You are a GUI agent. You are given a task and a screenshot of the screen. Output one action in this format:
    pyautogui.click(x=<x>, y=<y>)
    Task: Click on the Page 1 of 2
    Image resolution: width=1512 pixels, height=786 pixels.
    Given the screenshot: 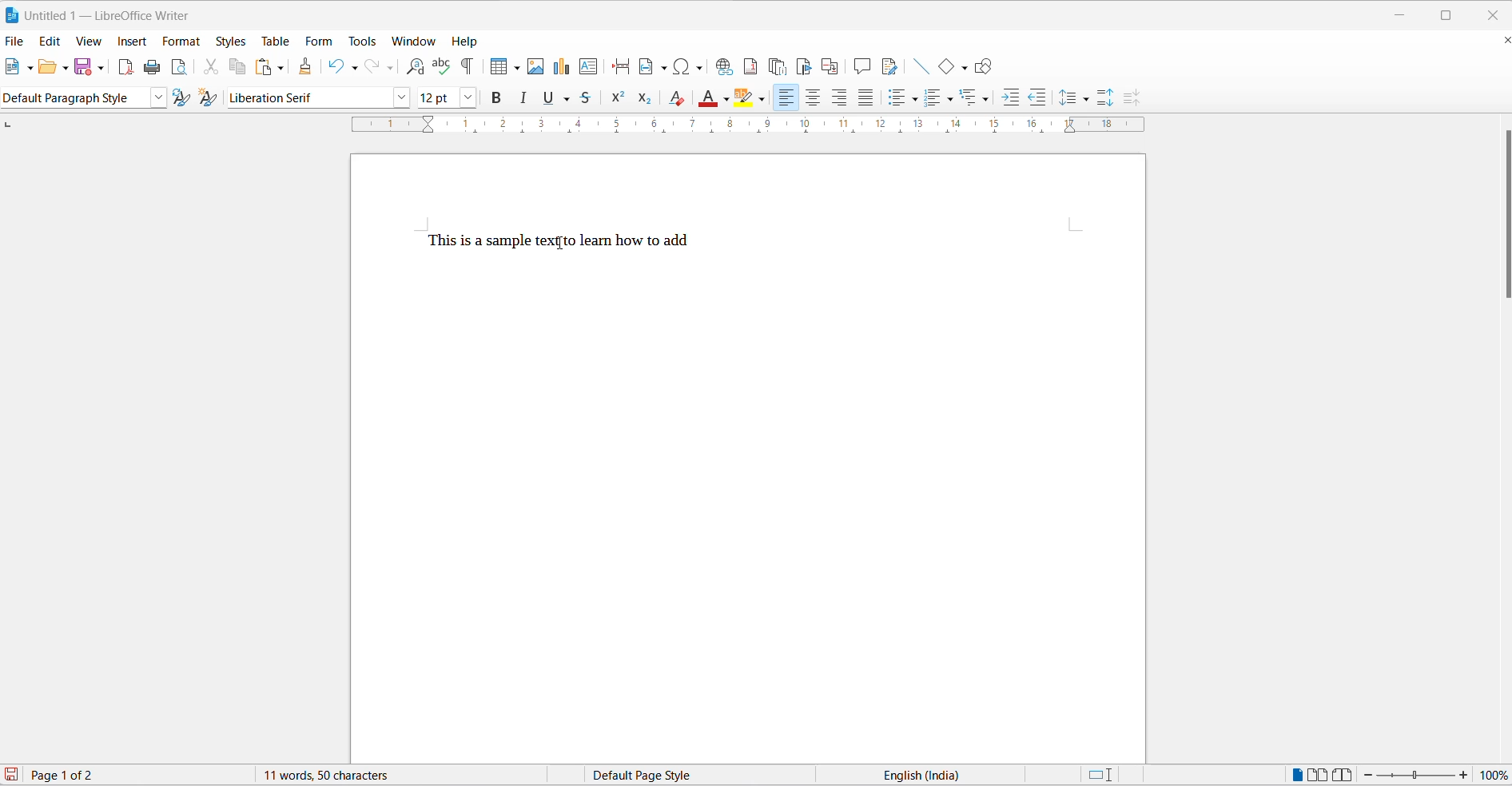 What is the action you would take?
    pyautogui.click(x=63, y=774)
    